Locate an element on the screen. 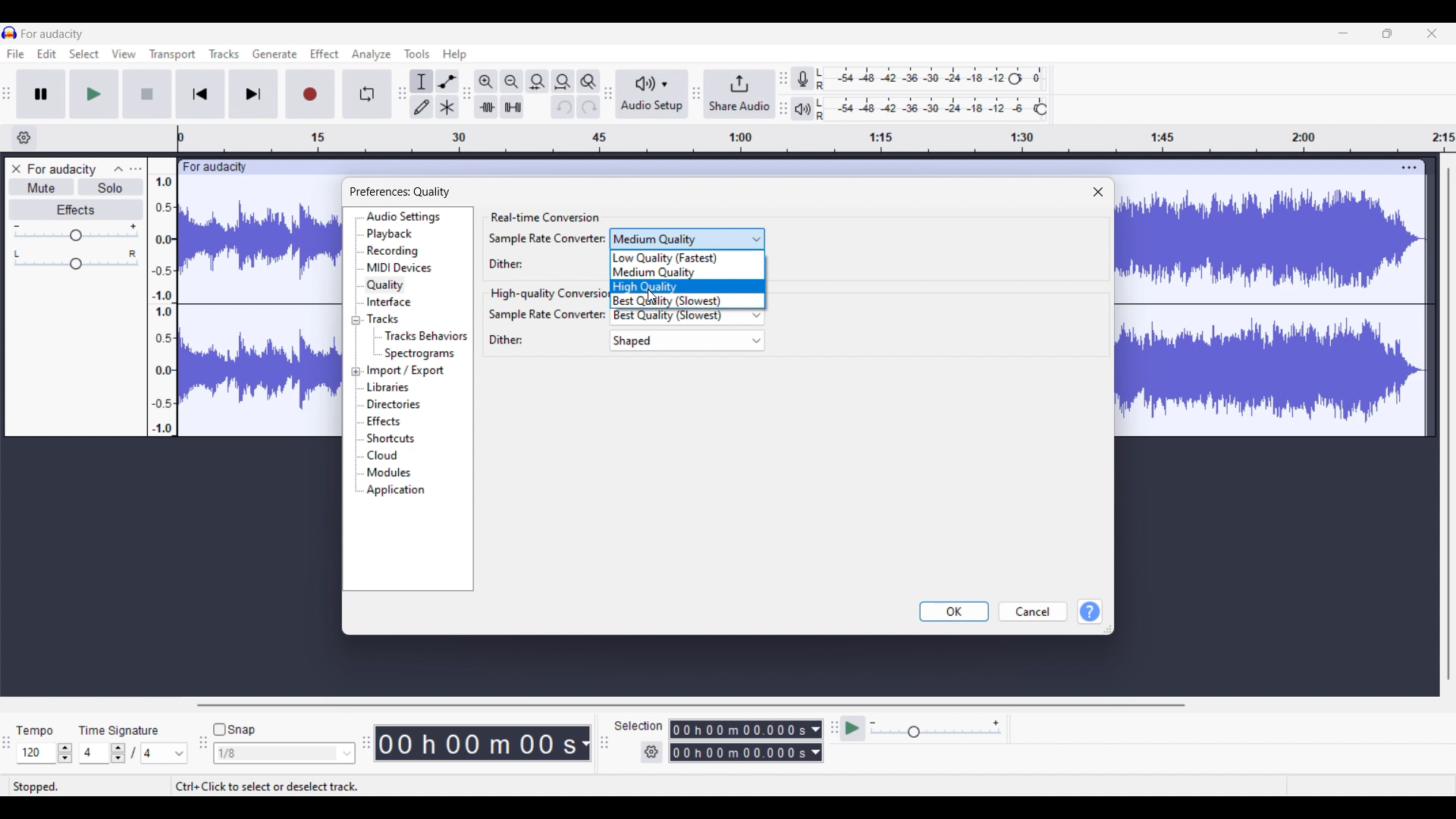  Current track is located at coordinates (1272, 312).